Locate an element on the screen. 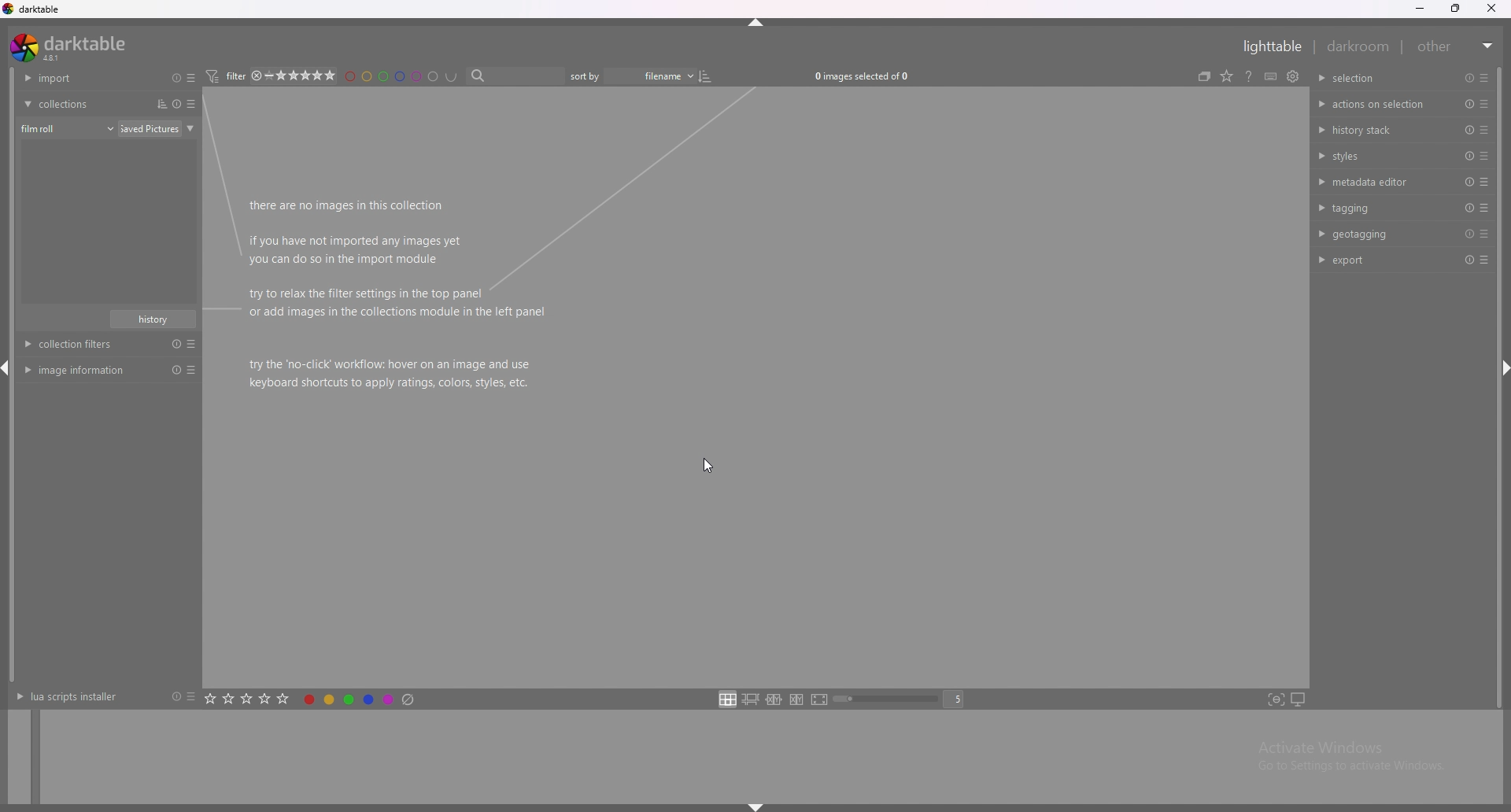 Image resolution: width=1511 pixels, height=812 pixels. cursor is located at coordinates (703, 467).